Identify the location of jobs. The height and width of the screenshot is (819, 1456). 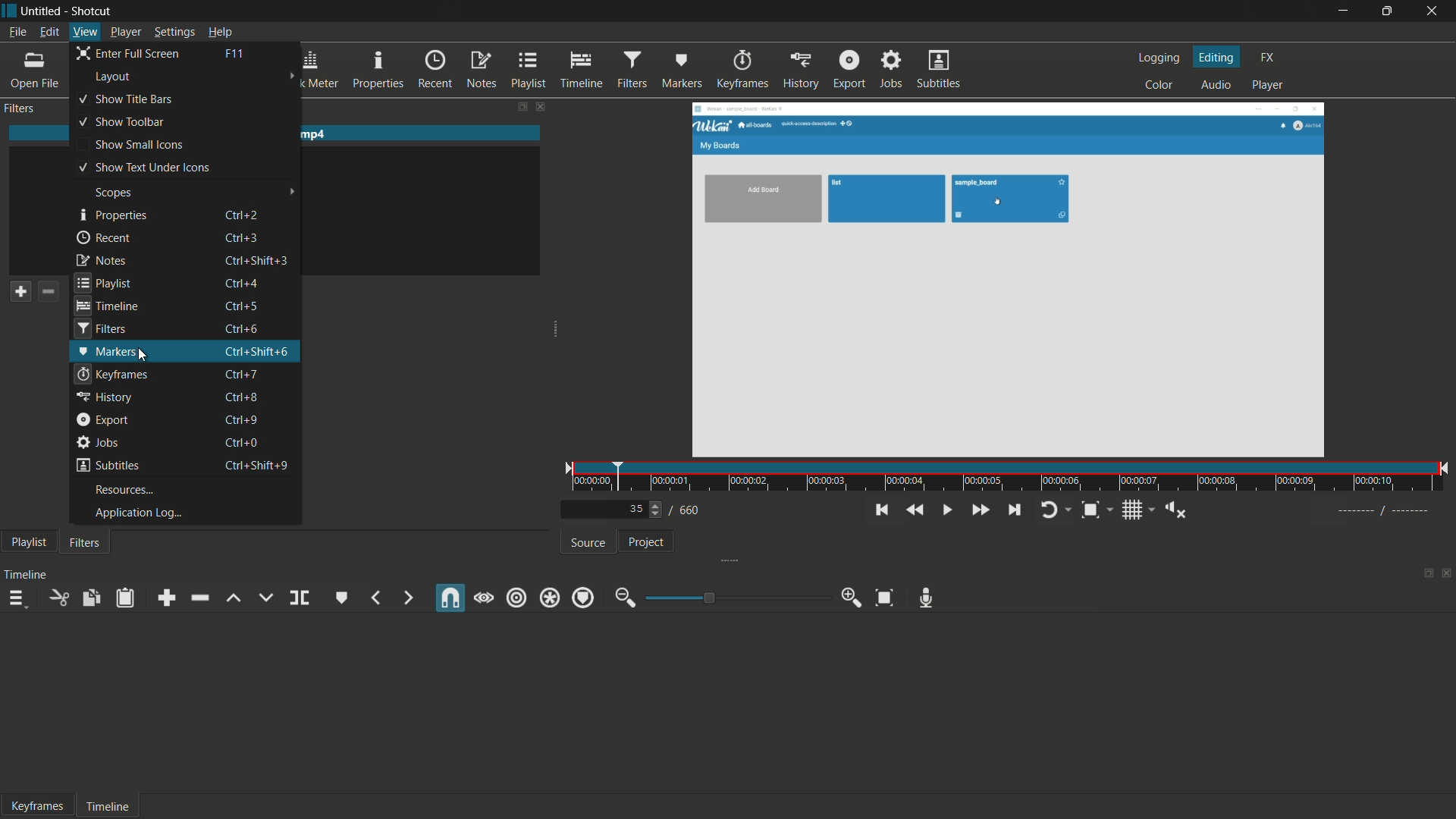
(889, 70).